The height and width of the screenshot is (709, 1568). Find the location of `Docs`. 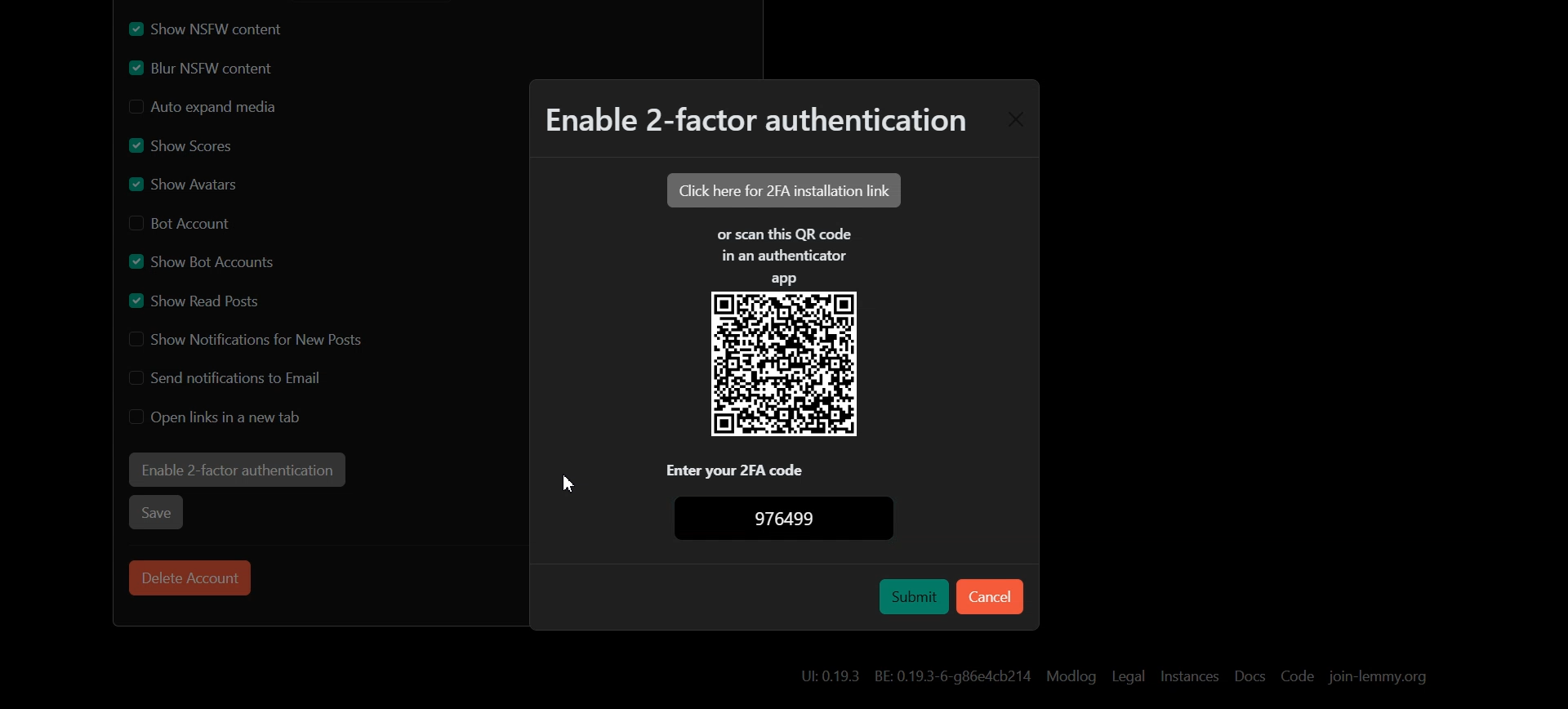

Docs is located at coordinates (1249, 677).